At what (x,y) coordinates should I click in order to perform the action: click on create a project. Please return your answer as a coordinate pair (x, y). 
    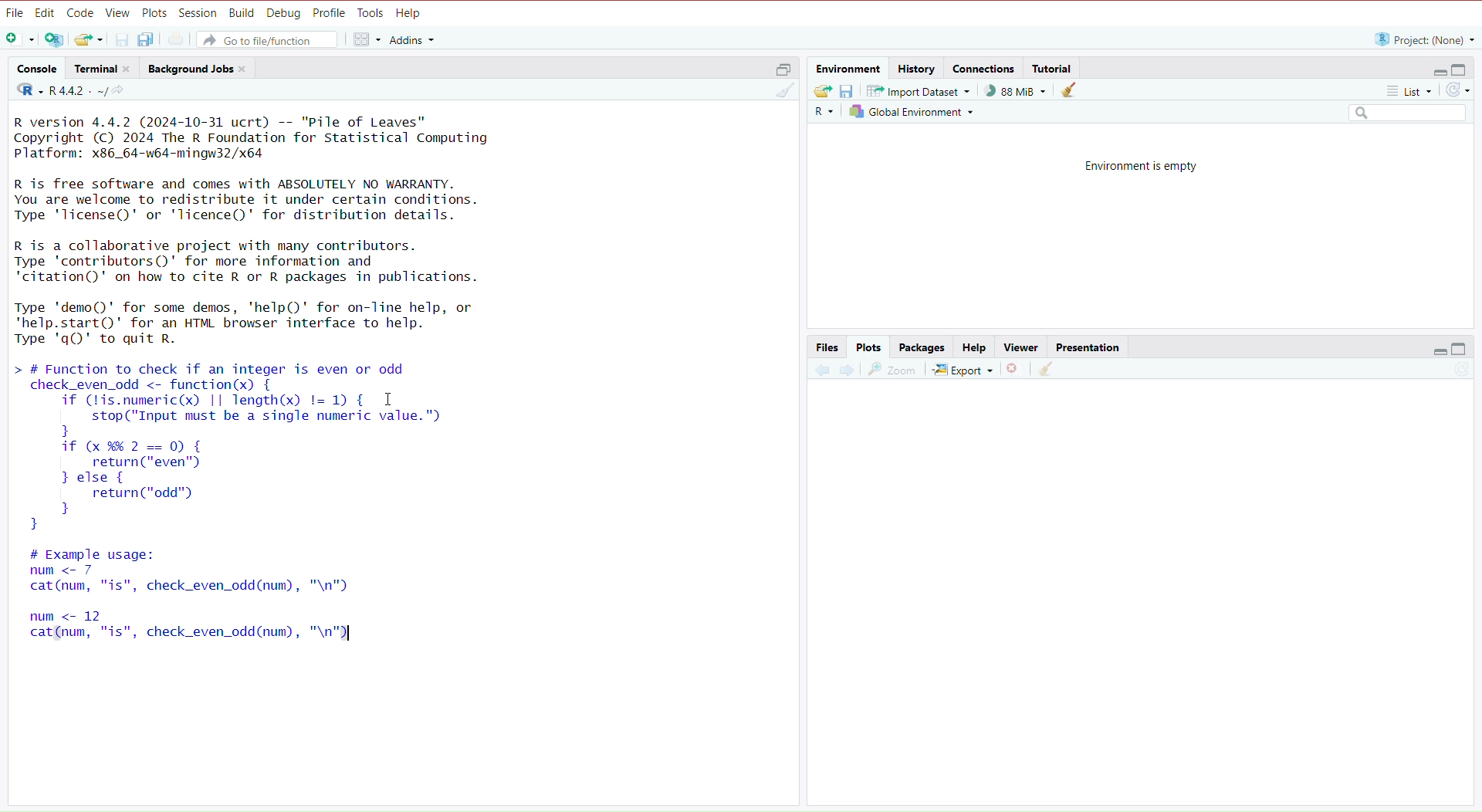
    Looking at the image, I should click on (55, 41).